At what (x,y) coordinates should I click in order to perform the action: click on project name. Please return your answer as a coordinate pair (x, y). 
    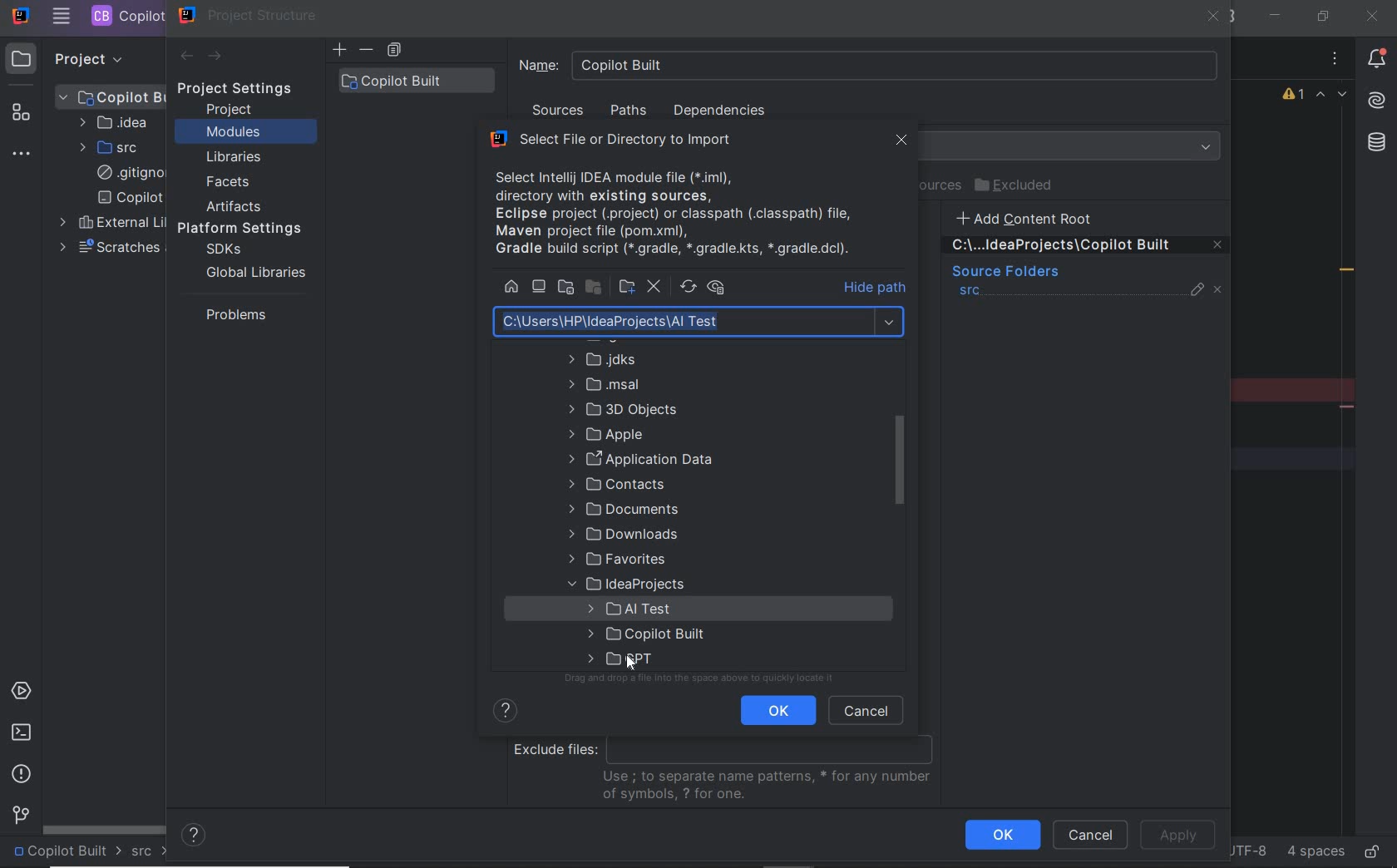
    Looking at the image, I should click on (67, 852).